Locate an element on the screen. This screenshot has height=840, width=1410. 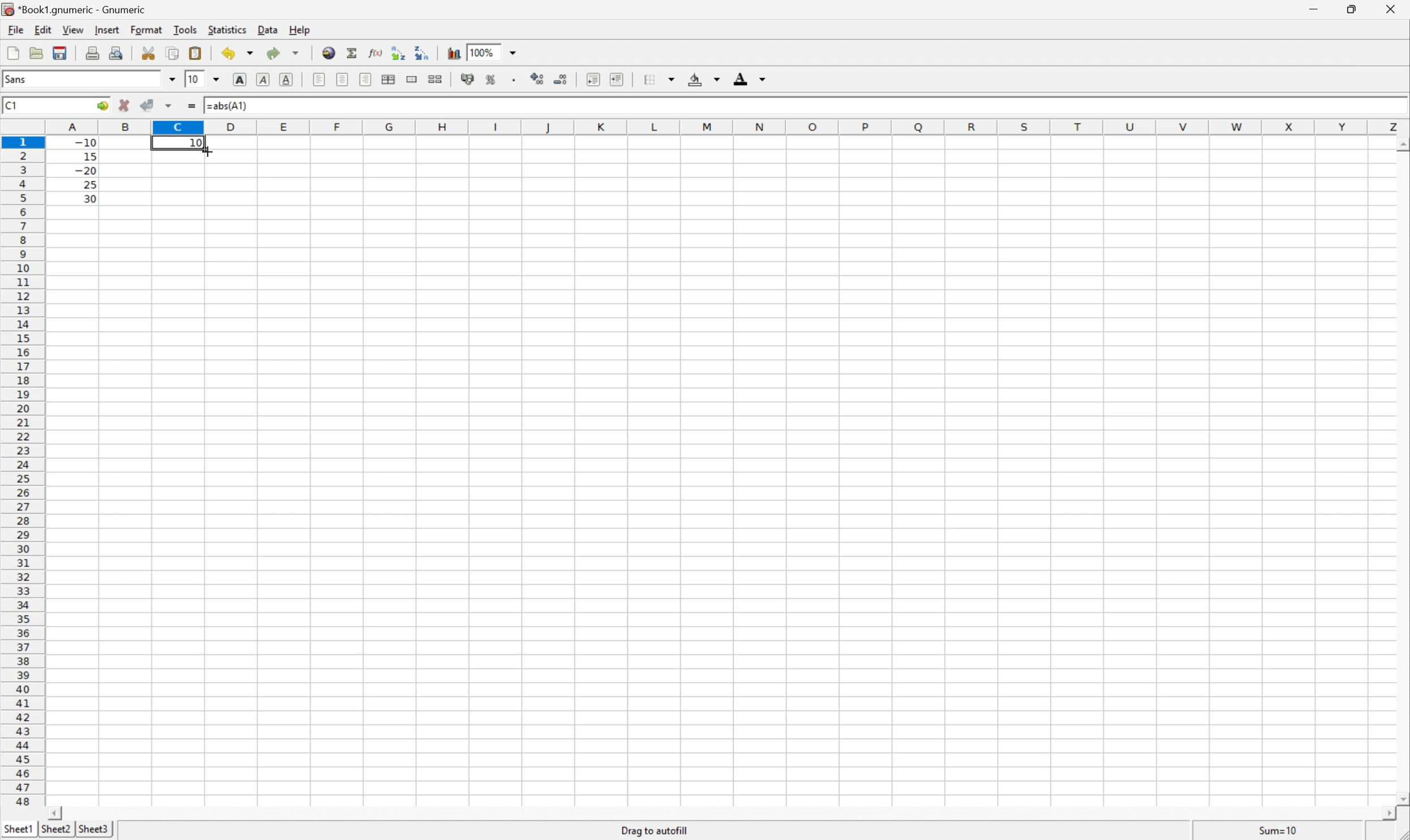
Increase indent, and align the content to the left is located at coordinates (615, 79).